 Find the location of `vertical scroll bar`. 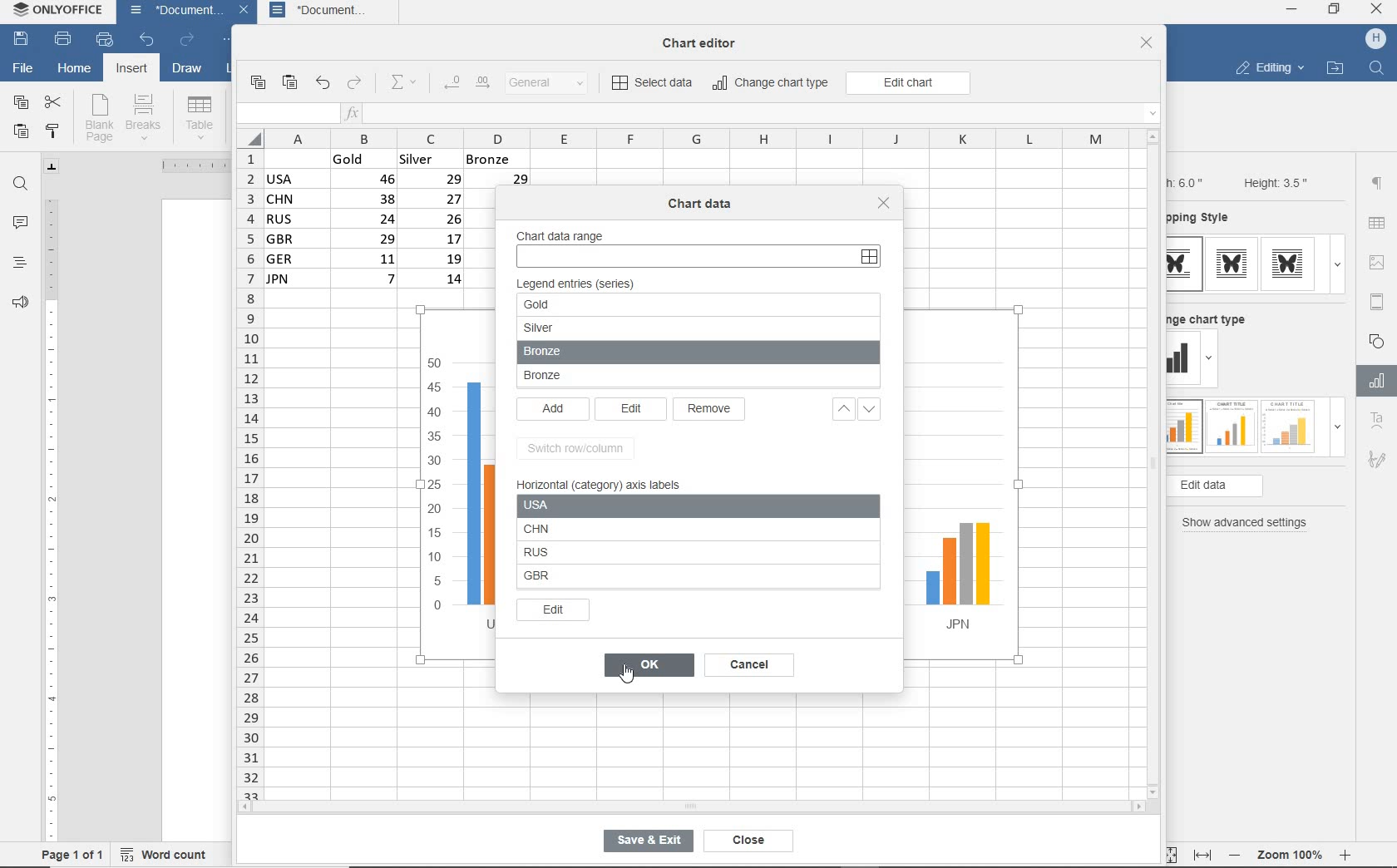

vertical scroll bar is located at coordinates (1158, 463).